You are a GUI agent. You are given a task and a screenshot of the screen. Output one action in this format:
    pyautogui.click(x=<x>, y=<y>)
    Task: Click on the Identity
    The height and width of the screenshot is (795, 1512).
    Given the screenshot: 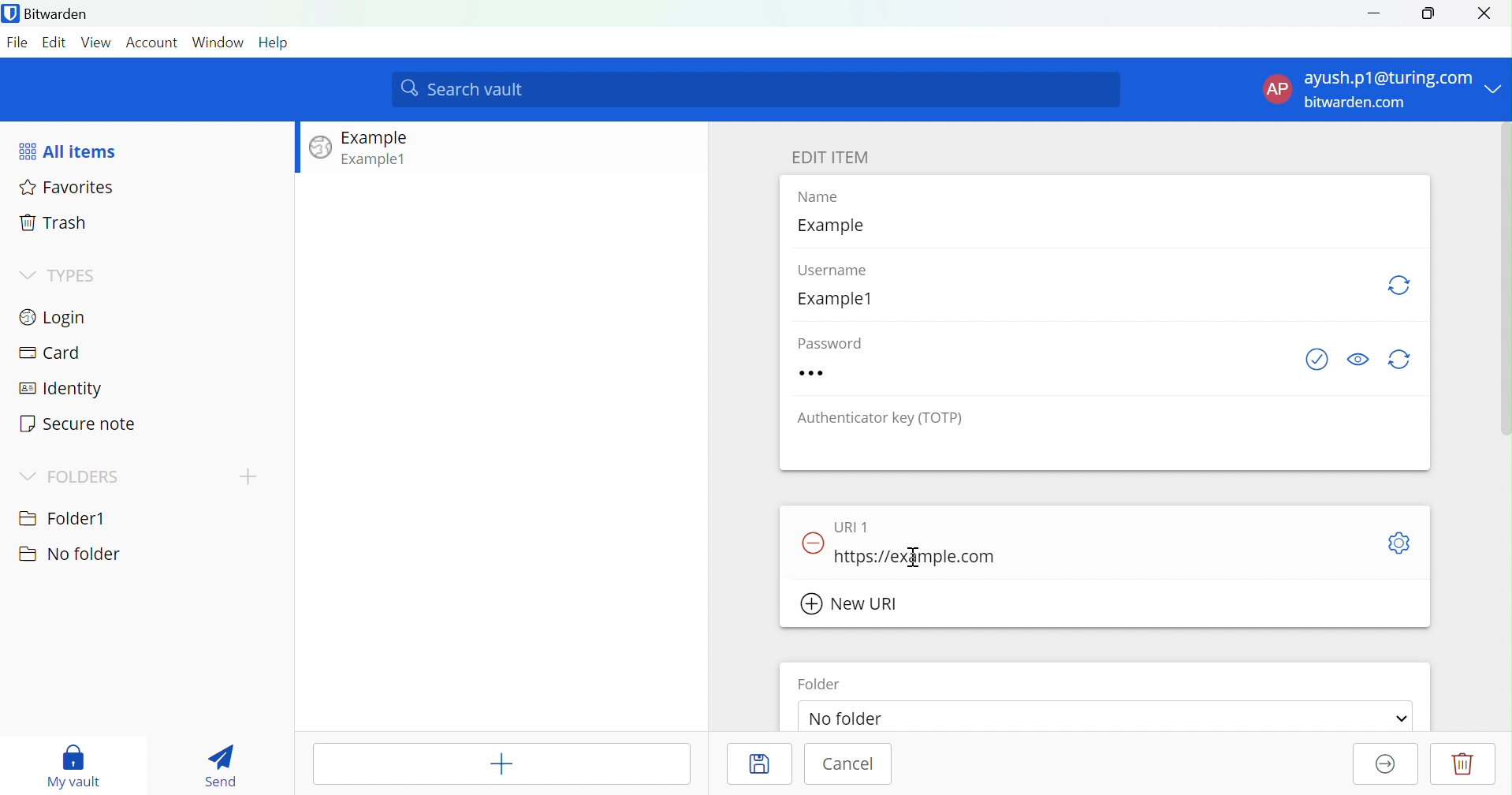 What is the action you would take?
    pyautogui.click(x=62, y=390)
    